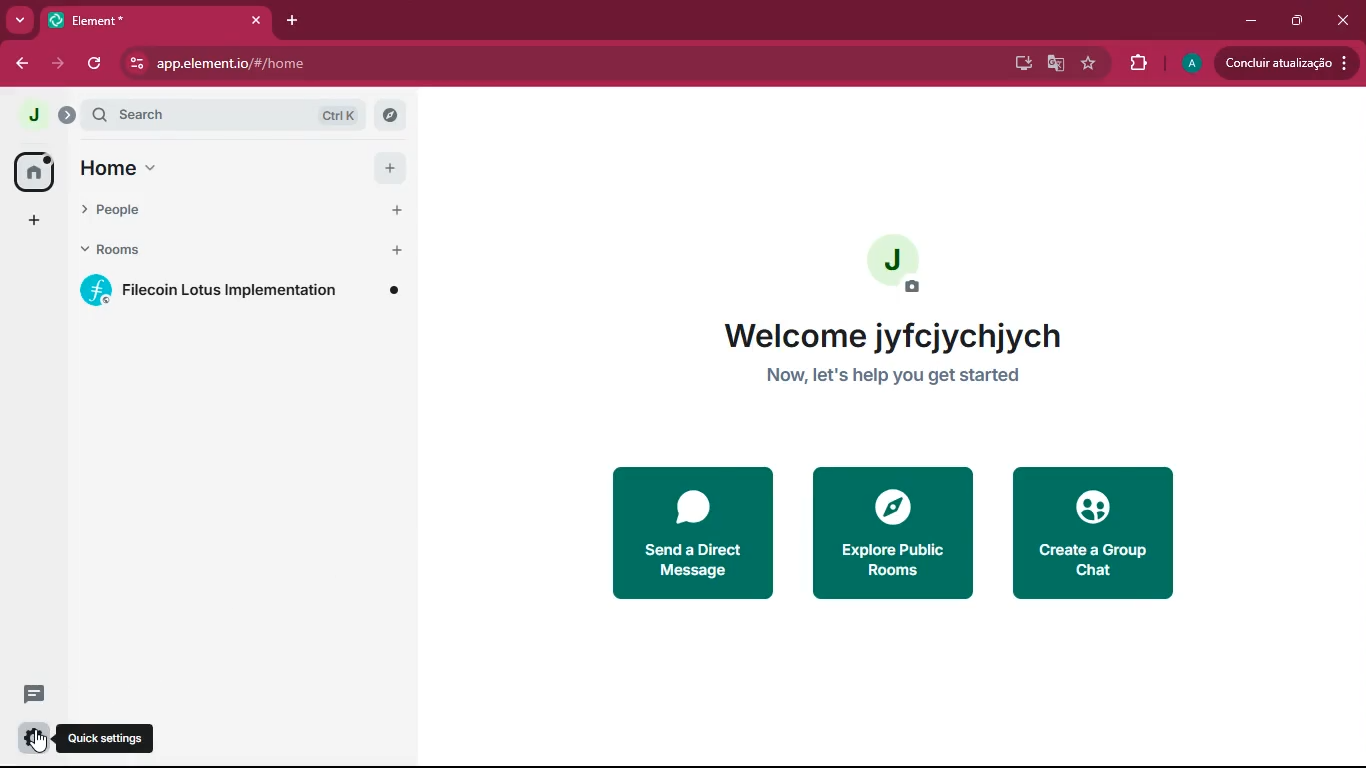  I want to click on Welcome jyfcjychjych, so click(902, 336).